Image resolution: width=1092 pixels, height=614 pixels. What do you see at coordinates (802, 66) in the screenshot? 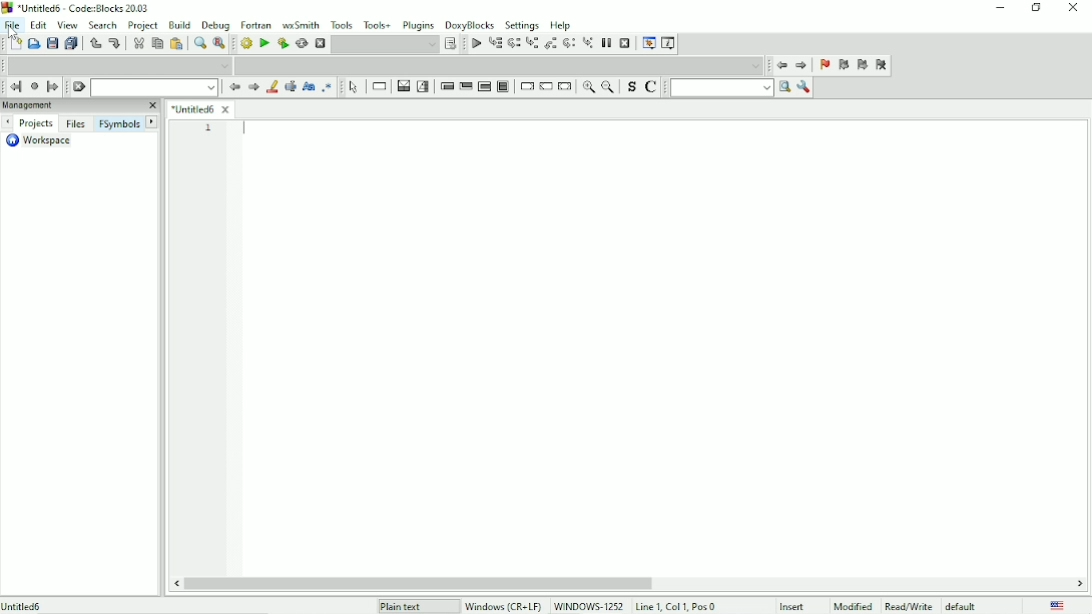
I see `Jump forward` at bounding box center [802, 66].